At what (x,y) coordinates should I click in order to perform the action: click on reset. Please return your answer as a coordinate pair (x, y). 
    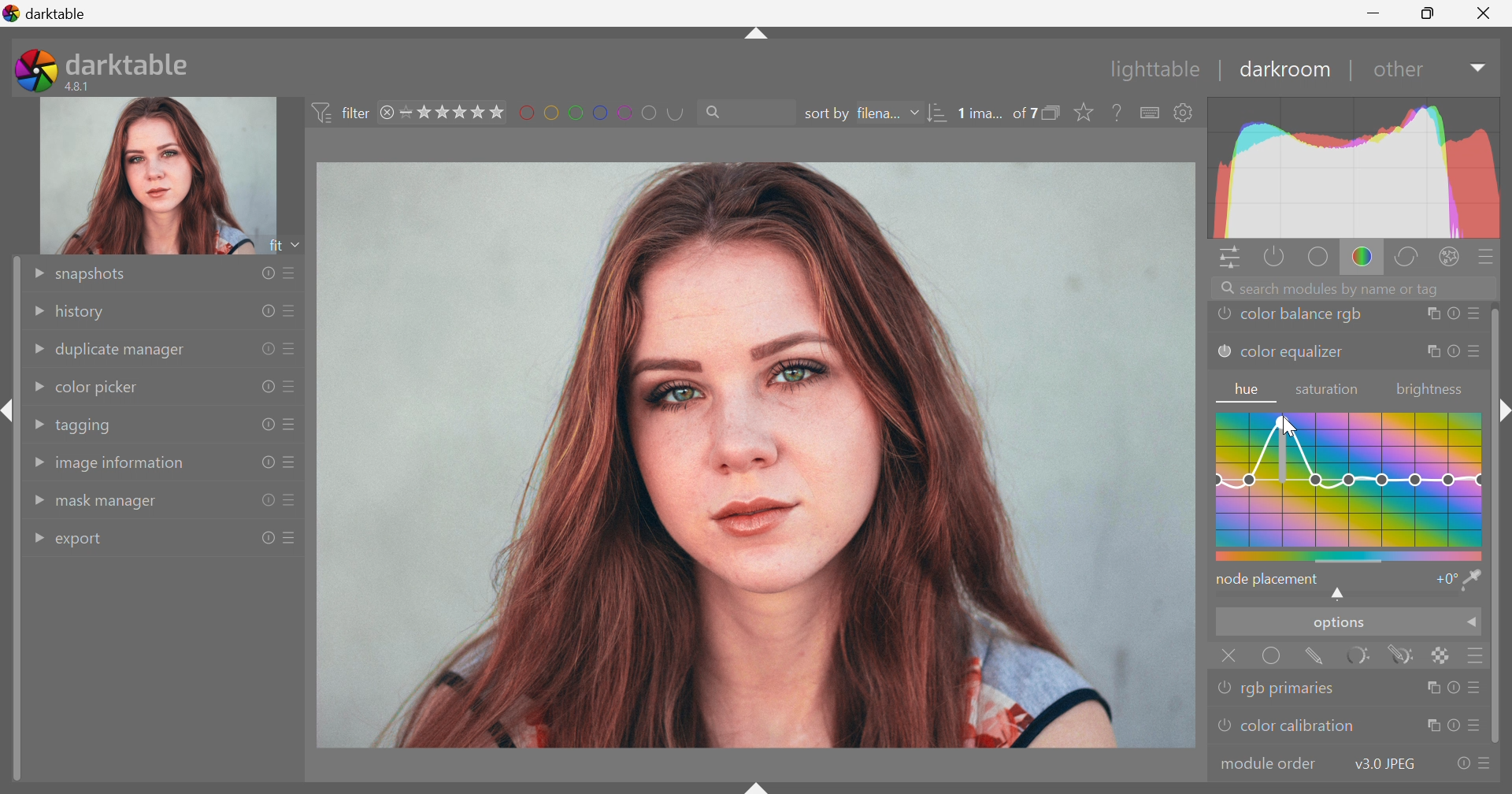
    Looking at the image, I should click on (269, 274).